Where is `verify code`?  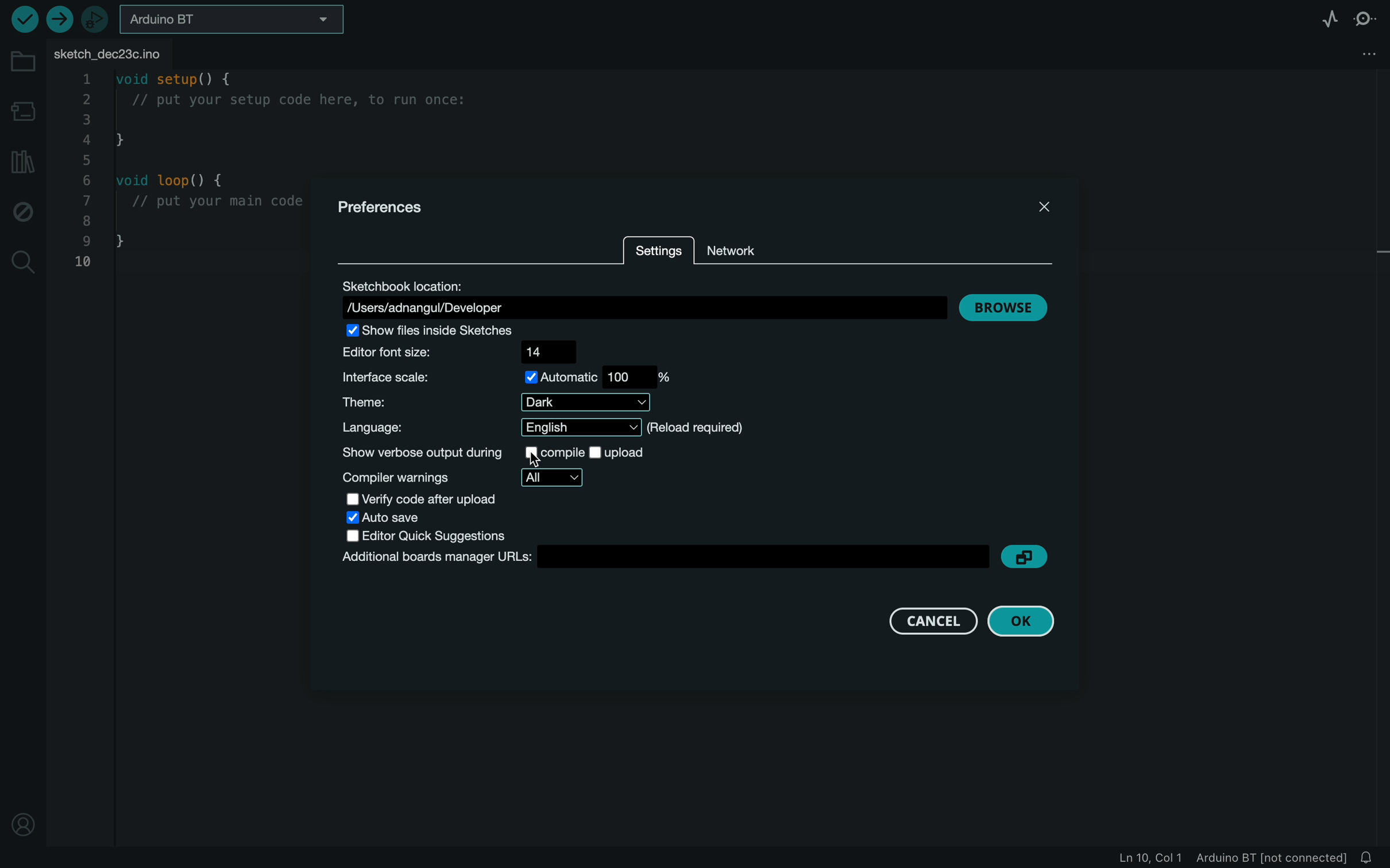
verify code is located at coordinates (421, 498).